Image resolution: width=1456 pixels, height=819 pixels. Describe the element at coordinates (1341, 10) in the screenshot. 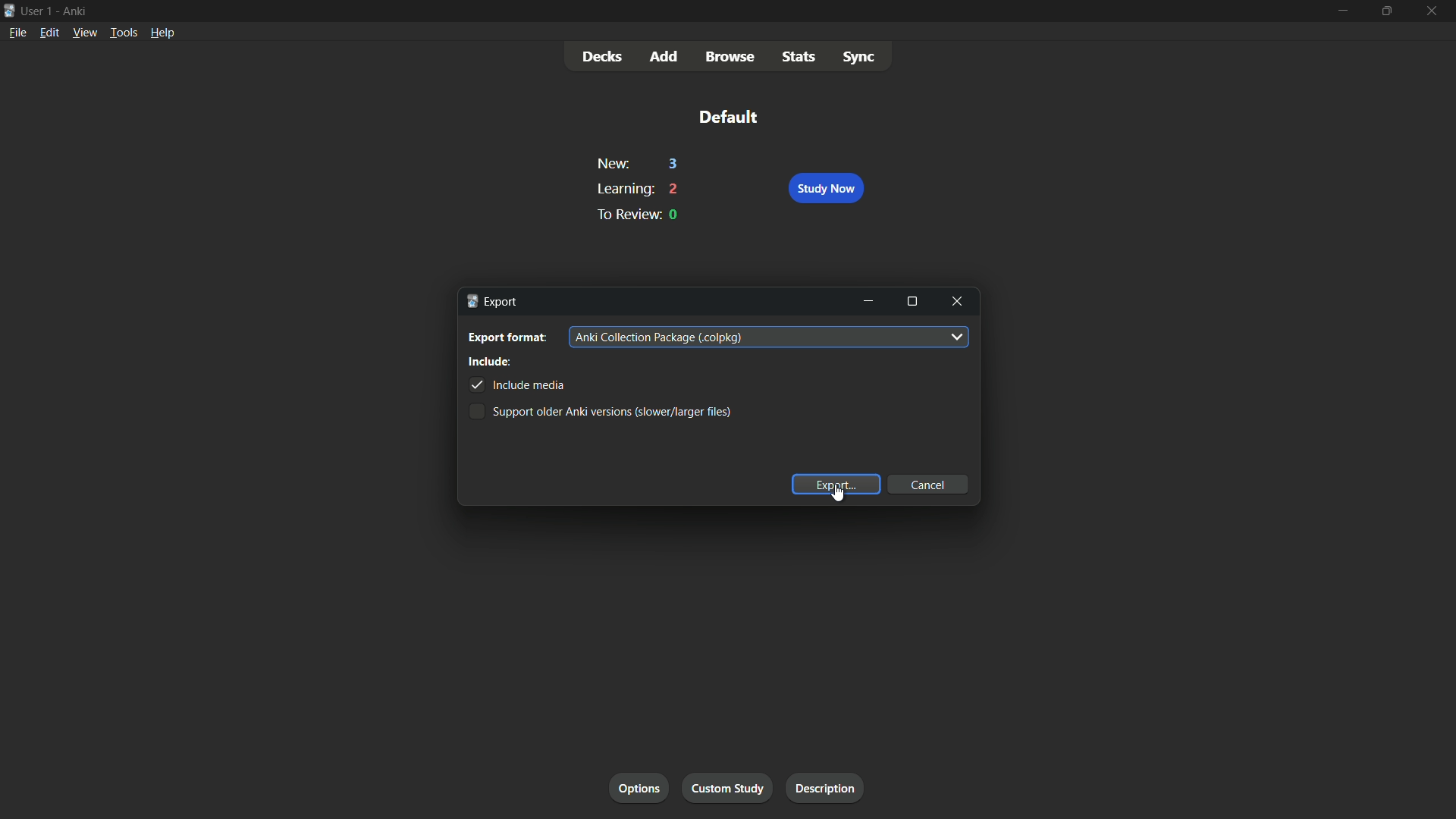

I see `minimize` at that location.